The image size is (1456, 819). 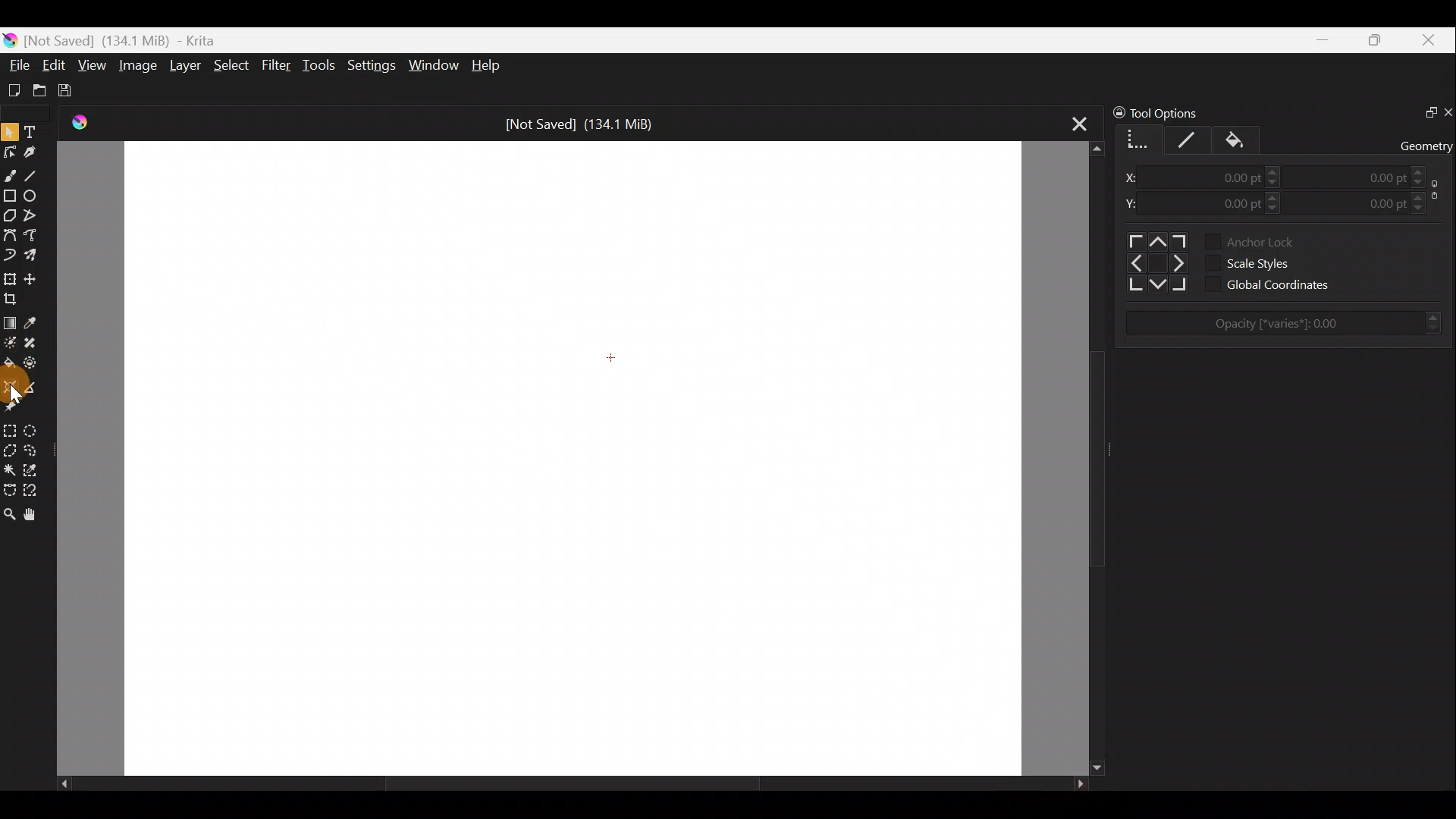 I want to click on Bezier curve selection tool, so click(x=9, y=491).